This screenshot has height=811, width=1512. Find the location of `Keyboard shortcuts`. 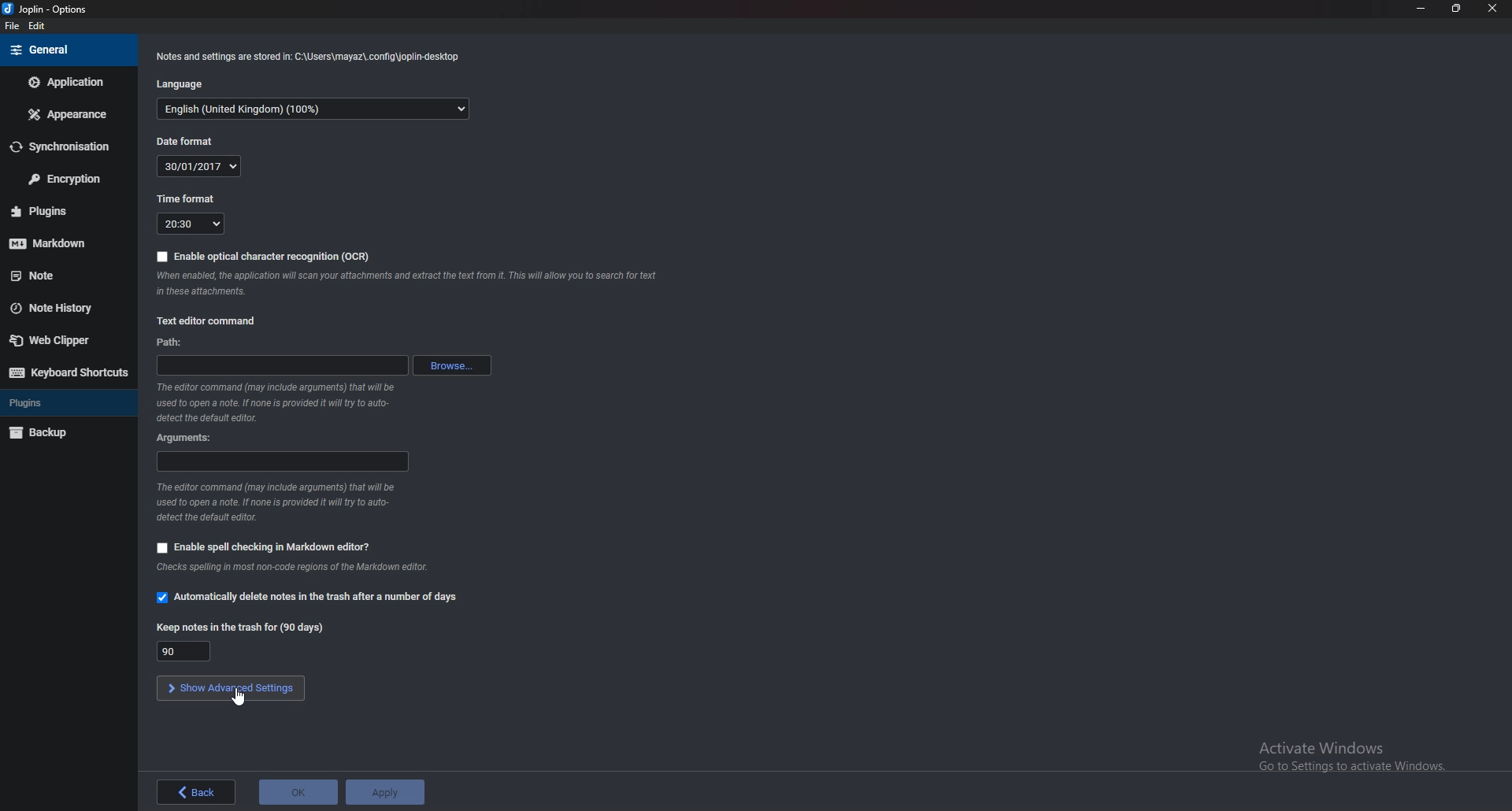

Keyboard shortcuts is located at coordinates (66, 373).